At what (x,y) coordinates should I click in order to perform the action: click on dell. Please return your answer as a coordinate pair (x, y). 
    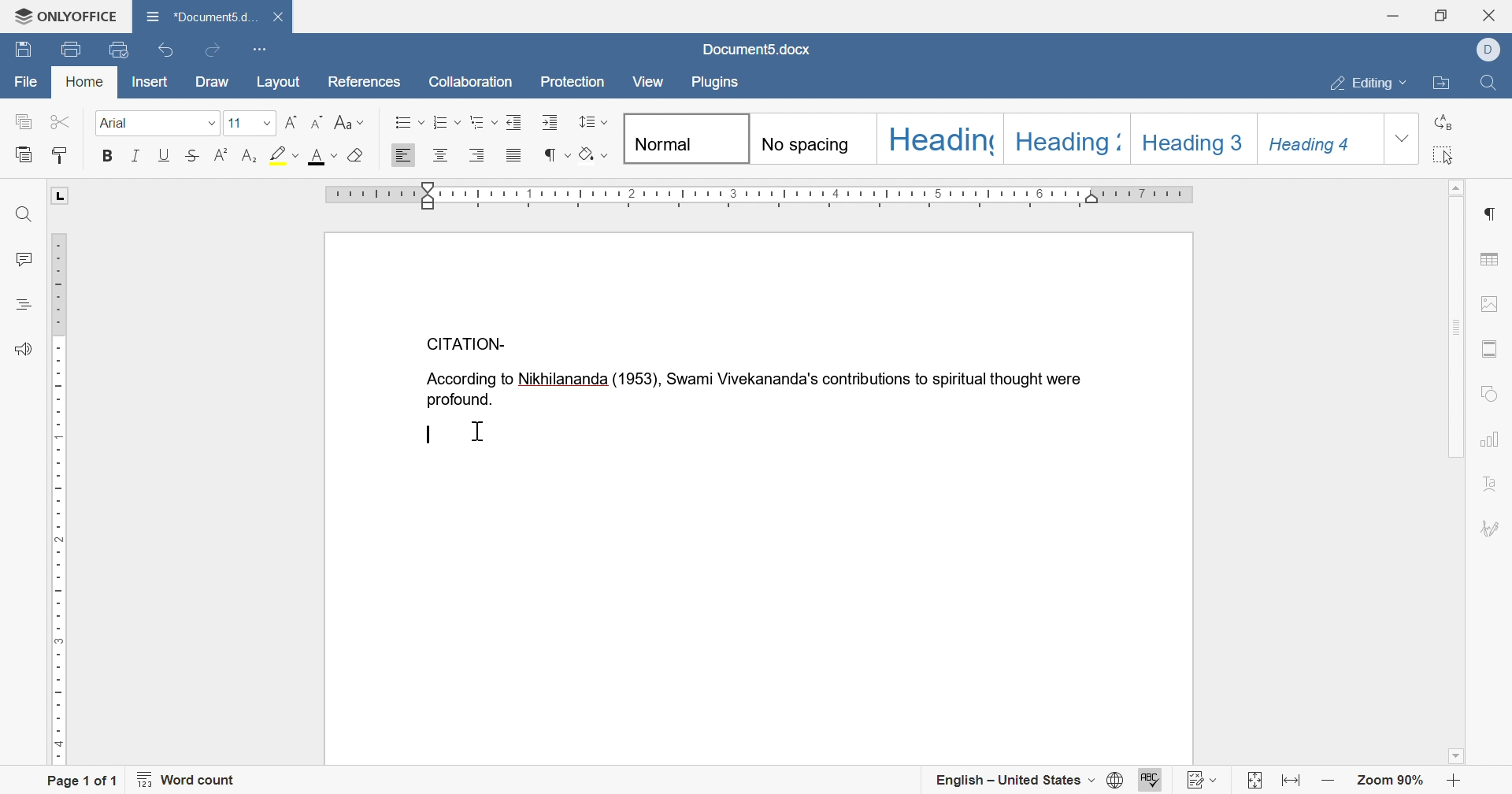
    Looking at the image, I should click on (1487, 52).